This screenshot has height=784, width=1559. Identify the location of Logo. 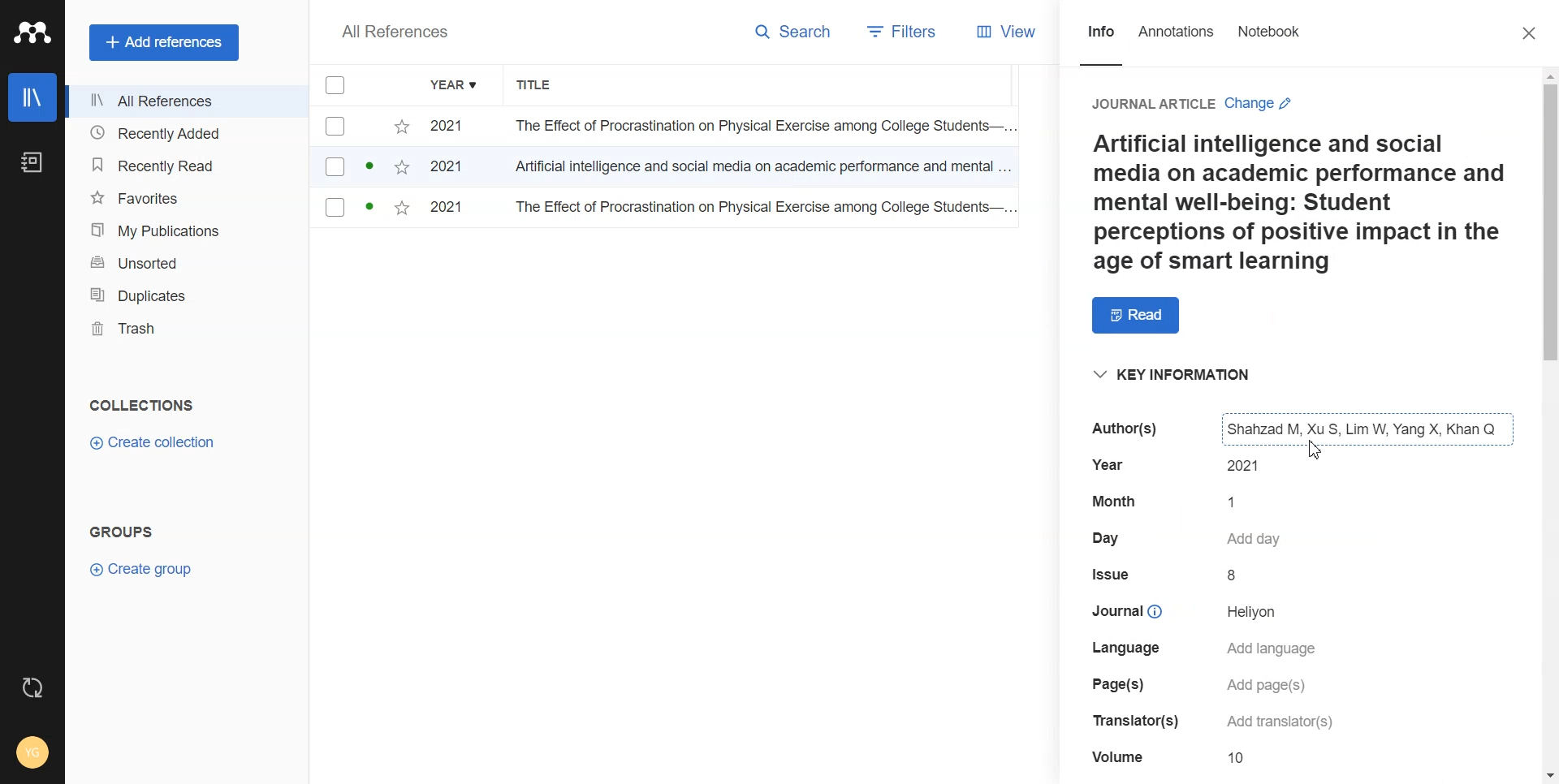
(32, 33).